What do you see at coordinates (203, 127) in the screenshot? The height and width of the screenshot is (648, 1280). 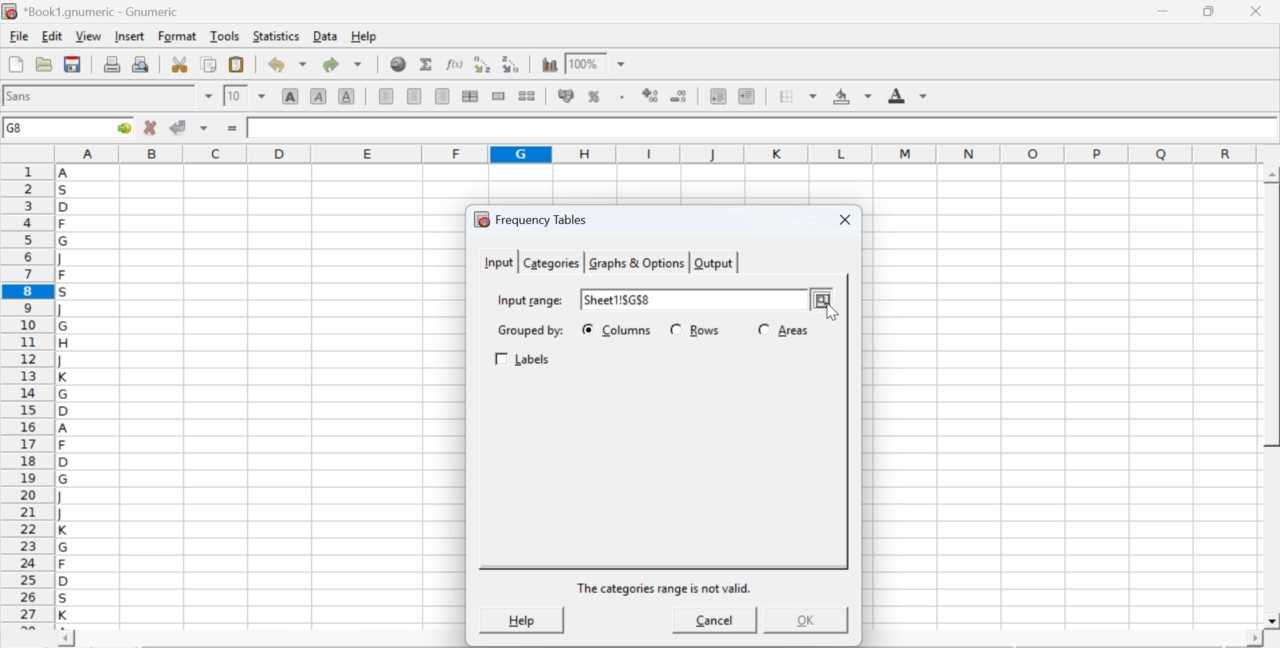 I see `accept changes across selection` at bounding box center [203, 127].